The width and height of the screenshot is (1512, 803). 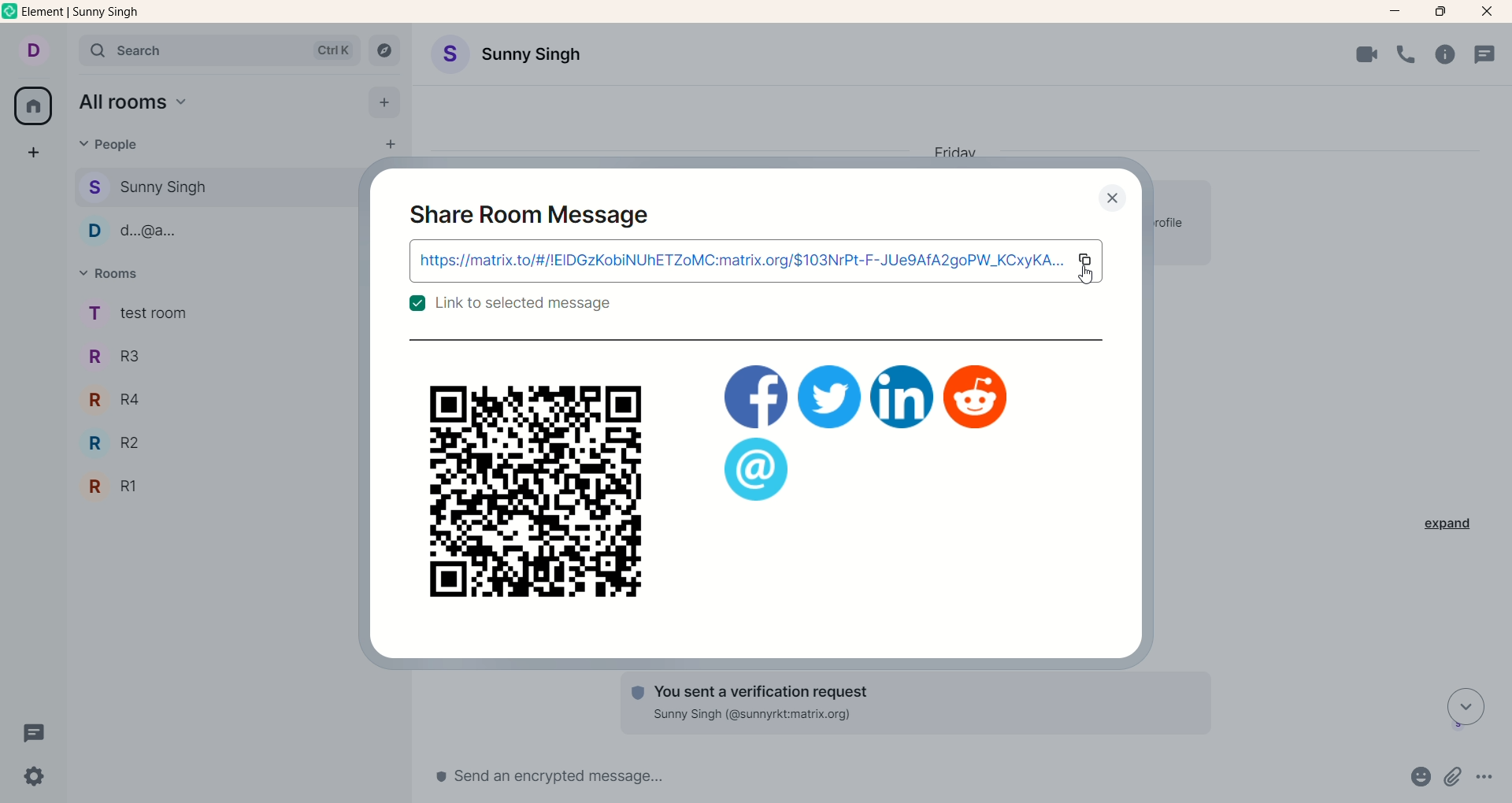 What do you see at coordinates (139, 312) in the screenshot?
I see `rooms` at bounding box center [139, 312].